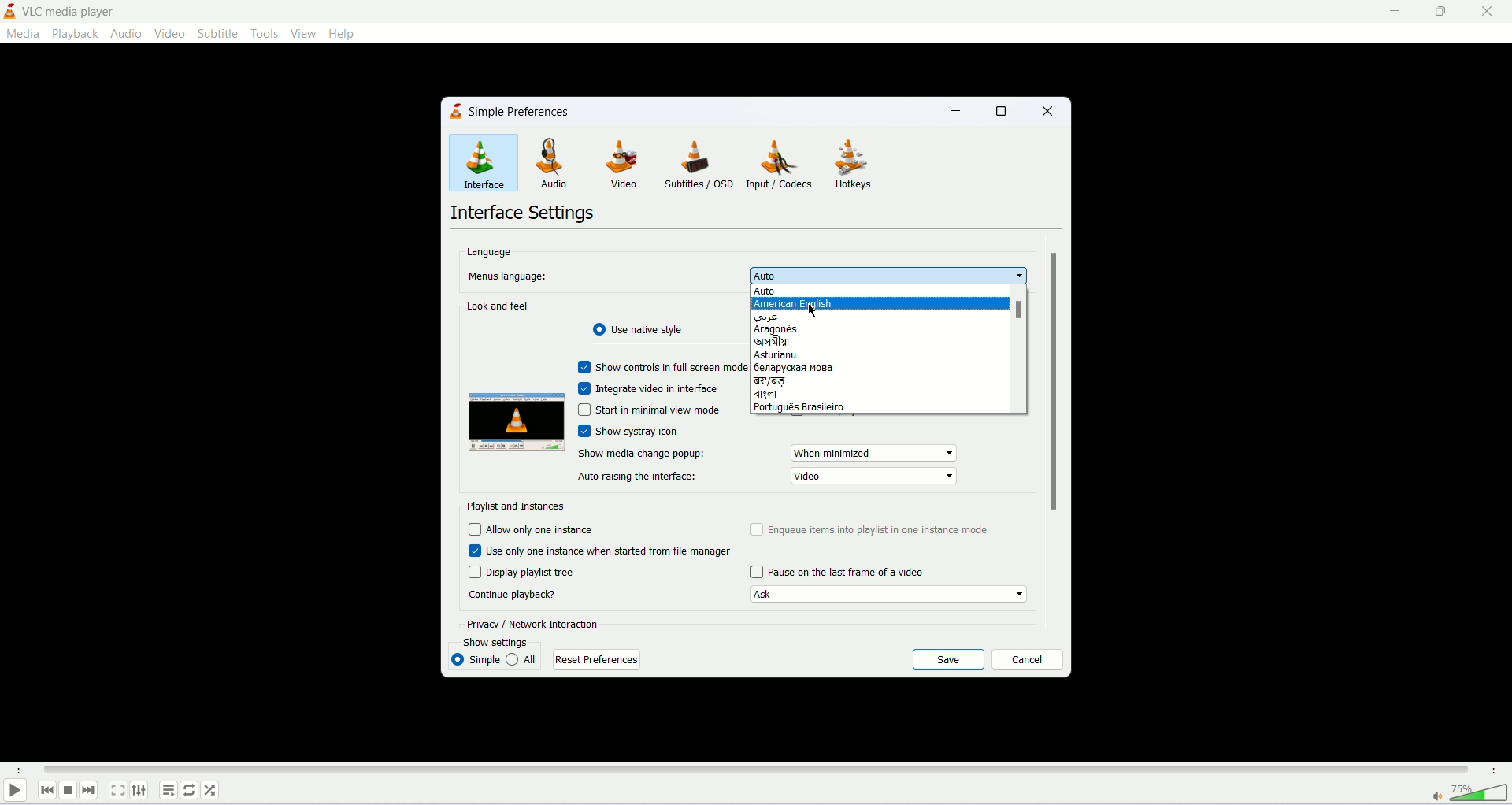 This screenshot has height=805, width=1512. Describe the element at coordinates (9, 11) in the screenshot. I see `application icon` at that location.